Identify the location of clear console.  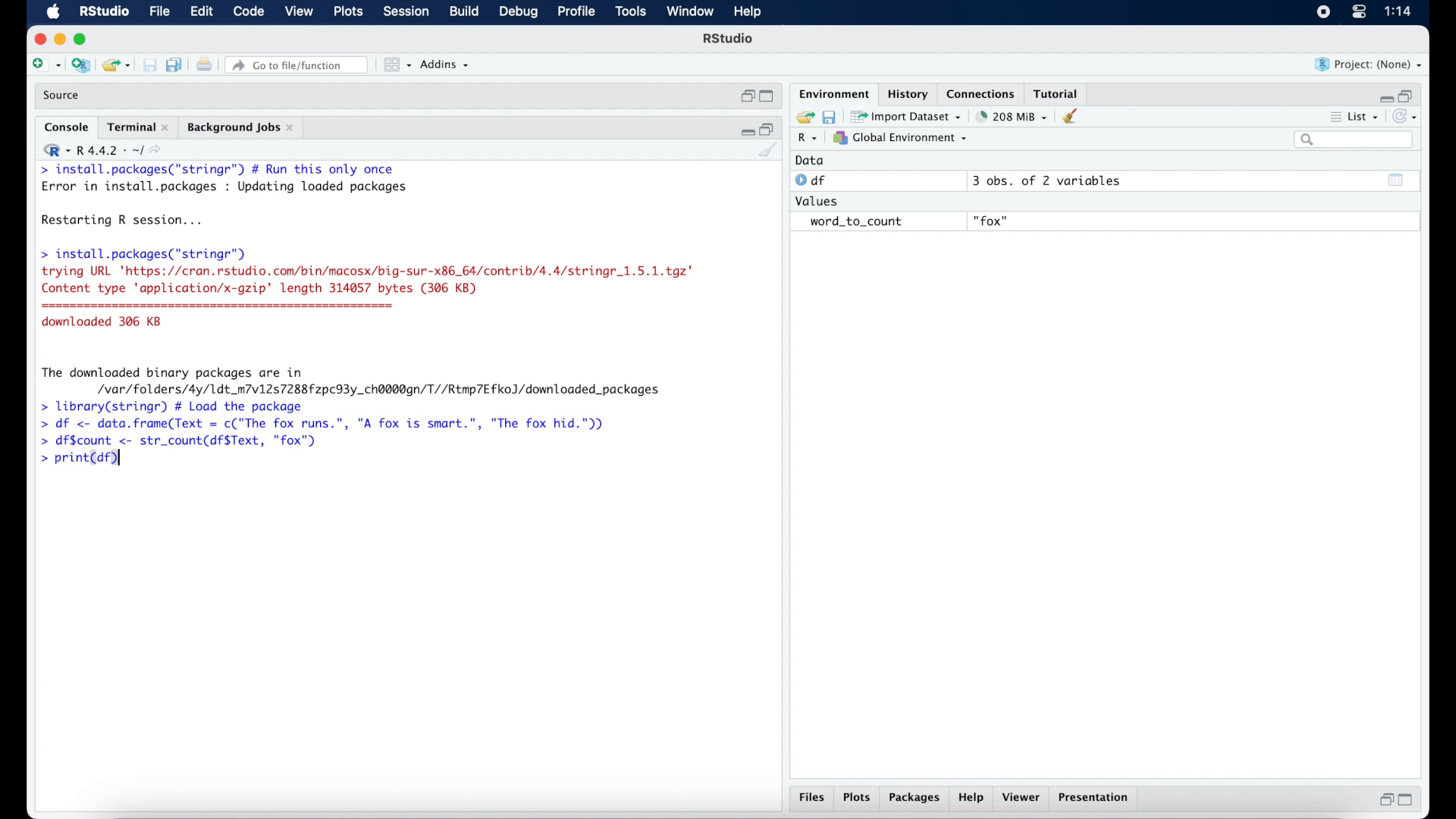
(769, 151).